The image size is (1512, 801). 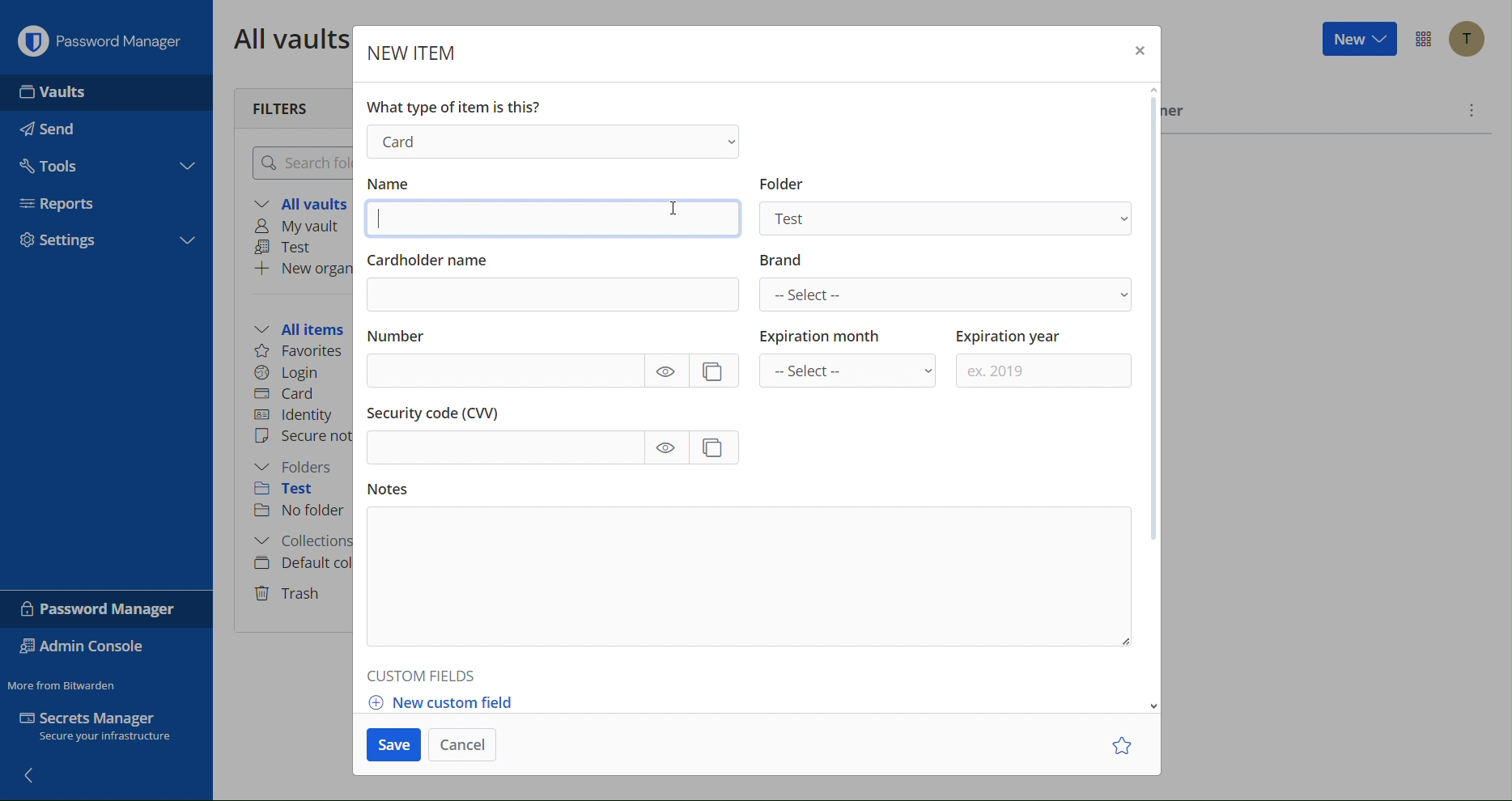 What do you see at coordinates (1358, 38) in the screenshot?
I see `New` at bounding box center [1358, 38].